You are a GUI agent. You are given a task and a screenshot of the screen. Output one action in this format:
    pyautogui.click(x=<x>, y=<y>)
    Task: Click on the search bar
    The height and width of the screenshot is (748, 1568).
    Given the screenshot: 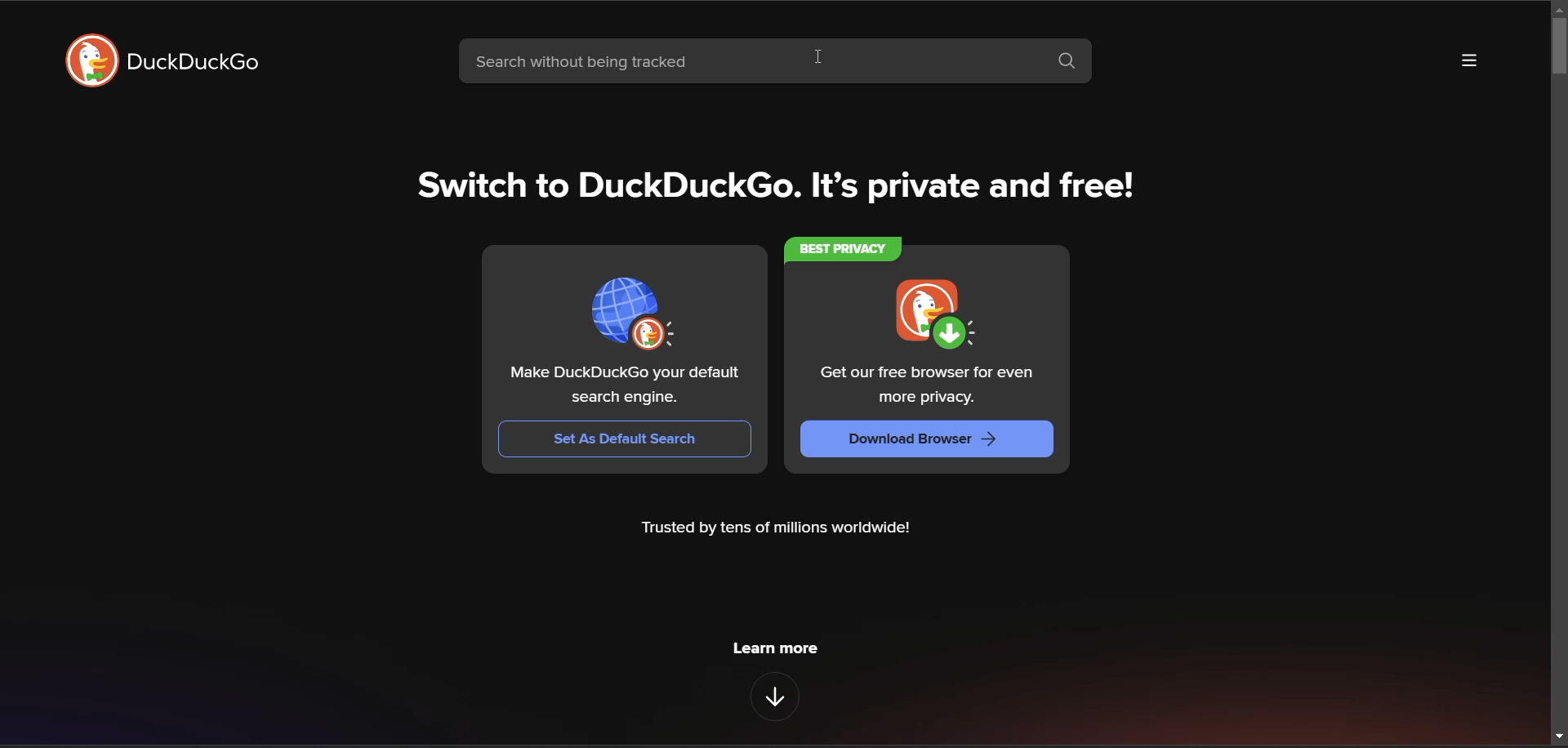 What is the action you would take?
    pyautogui.click(x=746, y=61)
    